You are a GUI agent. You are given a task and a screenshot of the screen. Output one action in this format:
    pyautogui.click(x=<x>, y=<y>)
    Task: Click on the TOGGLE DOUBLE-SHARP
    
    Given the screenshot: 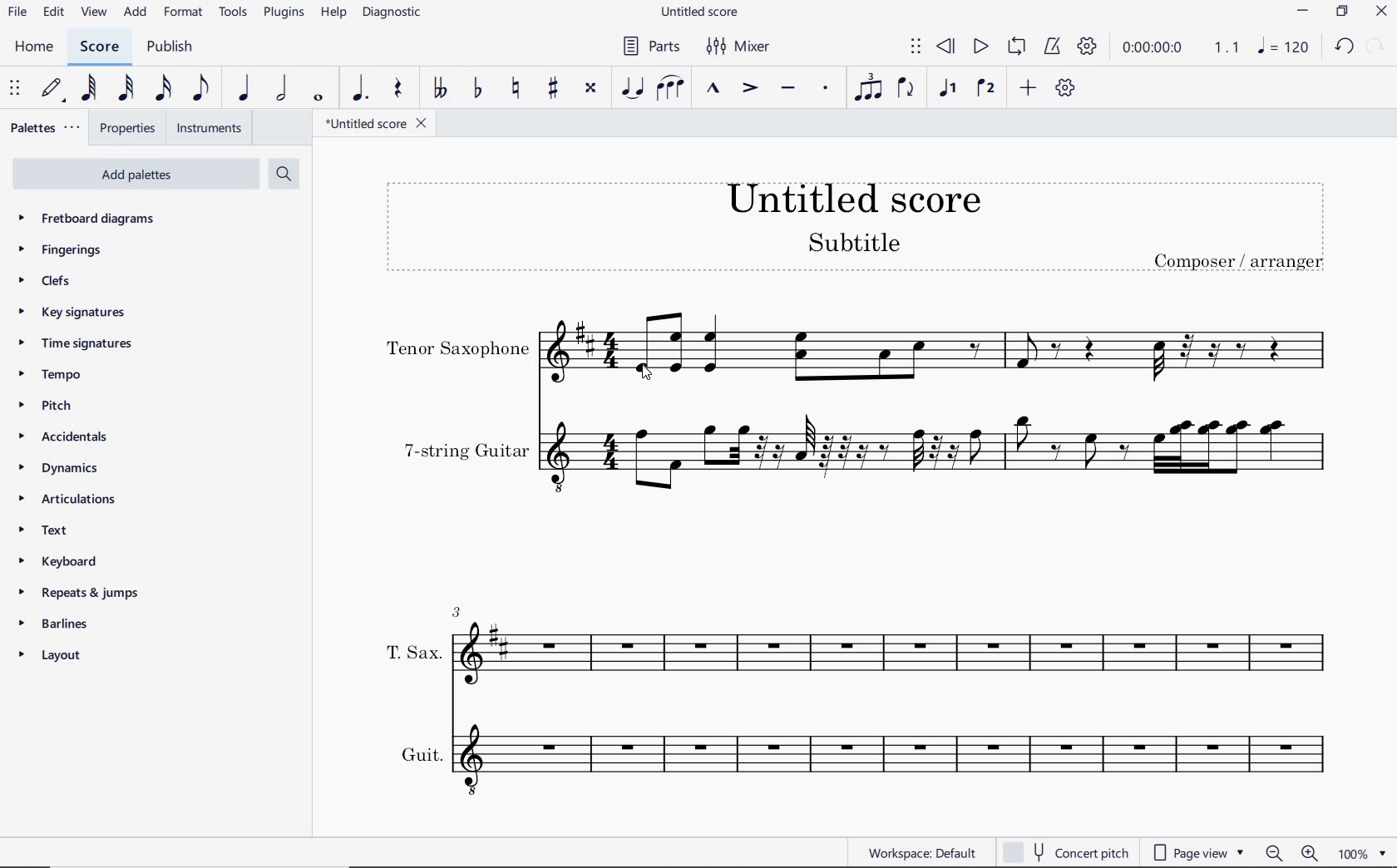 What is the action you would take?
    pyautogui.click(x=590, y=89)
    